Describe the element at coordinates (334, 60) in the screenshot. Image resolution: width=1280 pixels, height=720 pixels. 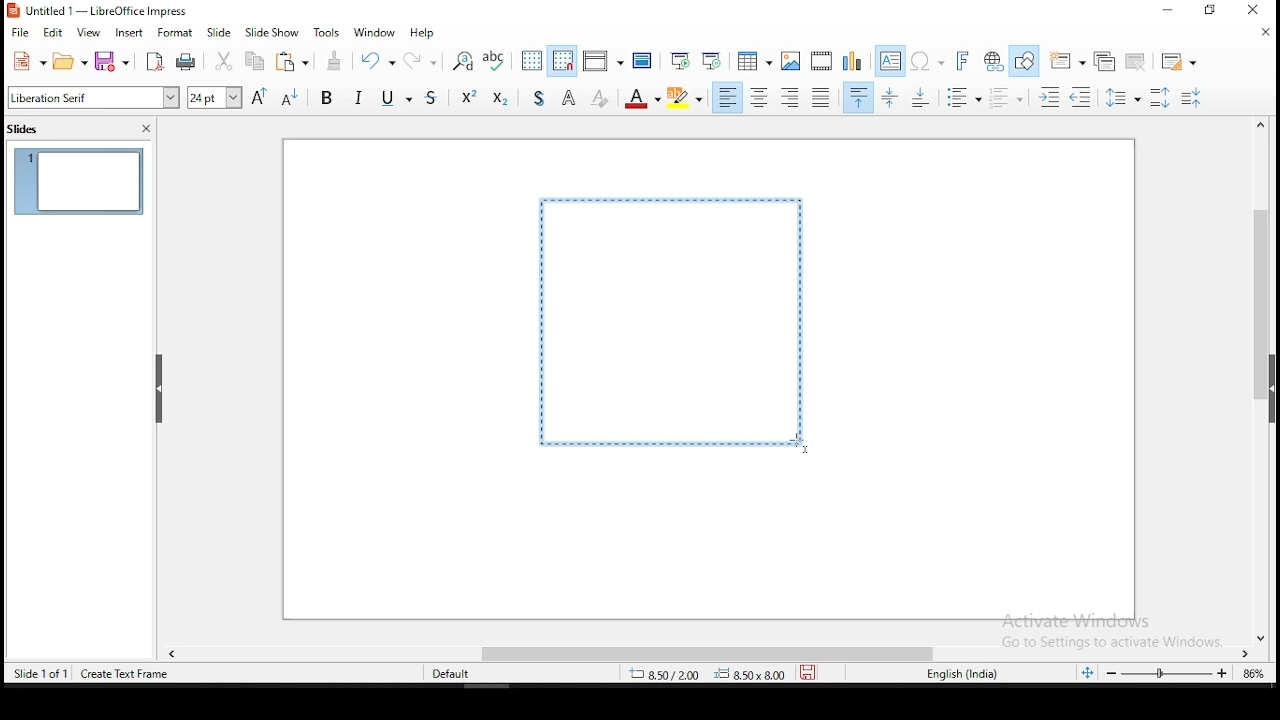
I see `clone formatting` at that location.